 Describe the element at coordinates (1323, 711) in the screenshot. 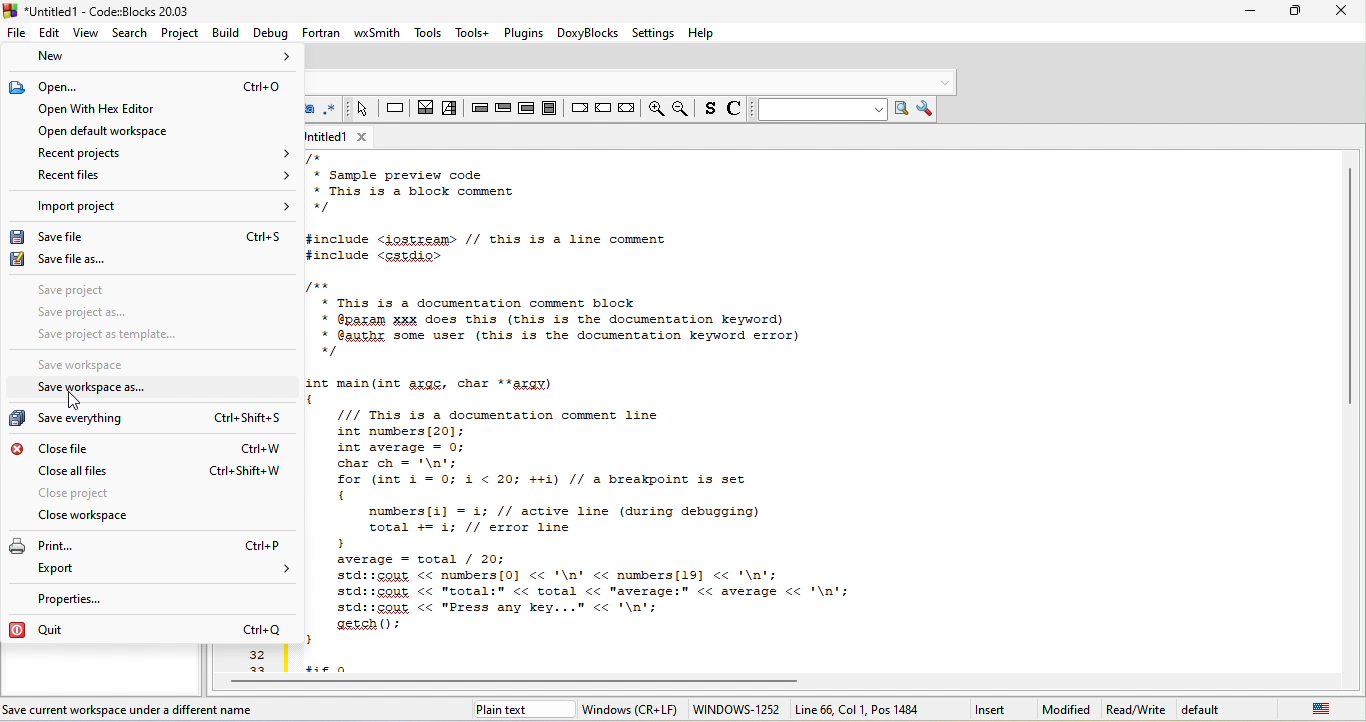

I see `united state` at that location.